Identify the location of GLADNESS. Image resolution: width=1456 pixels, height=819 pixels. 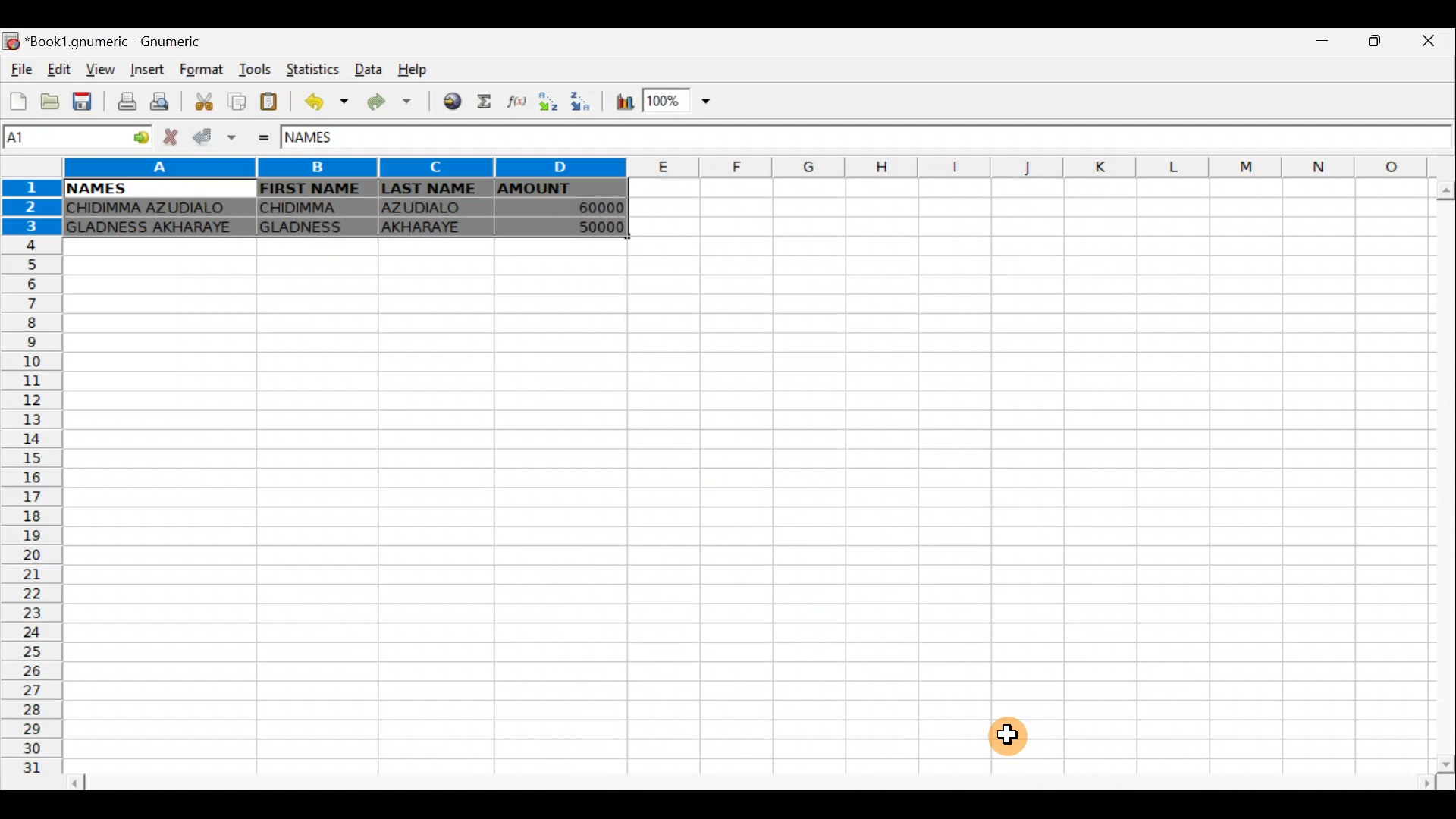
(313, 206).